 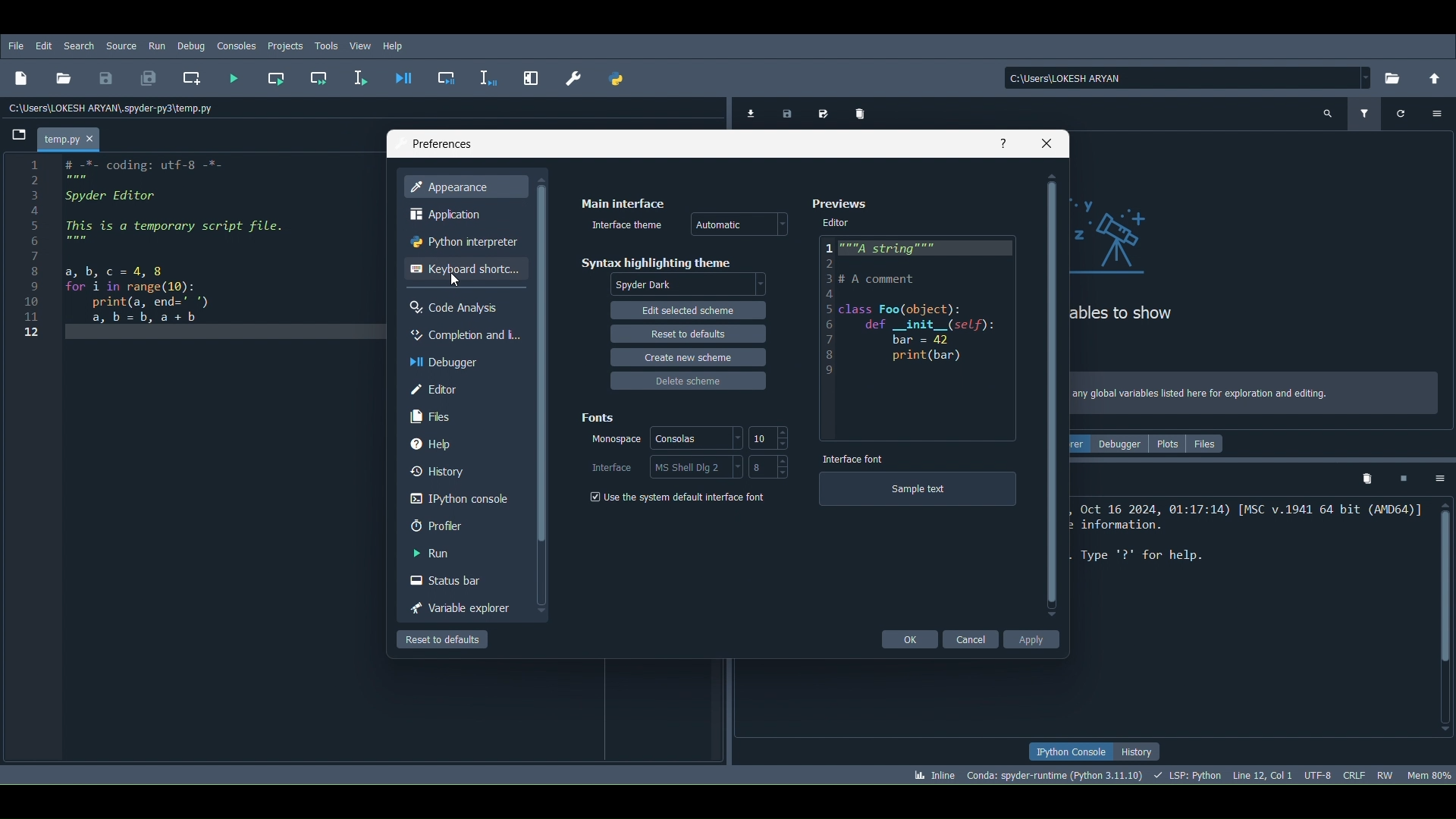 I want to click on Fonts, so click(x=602, y=417).